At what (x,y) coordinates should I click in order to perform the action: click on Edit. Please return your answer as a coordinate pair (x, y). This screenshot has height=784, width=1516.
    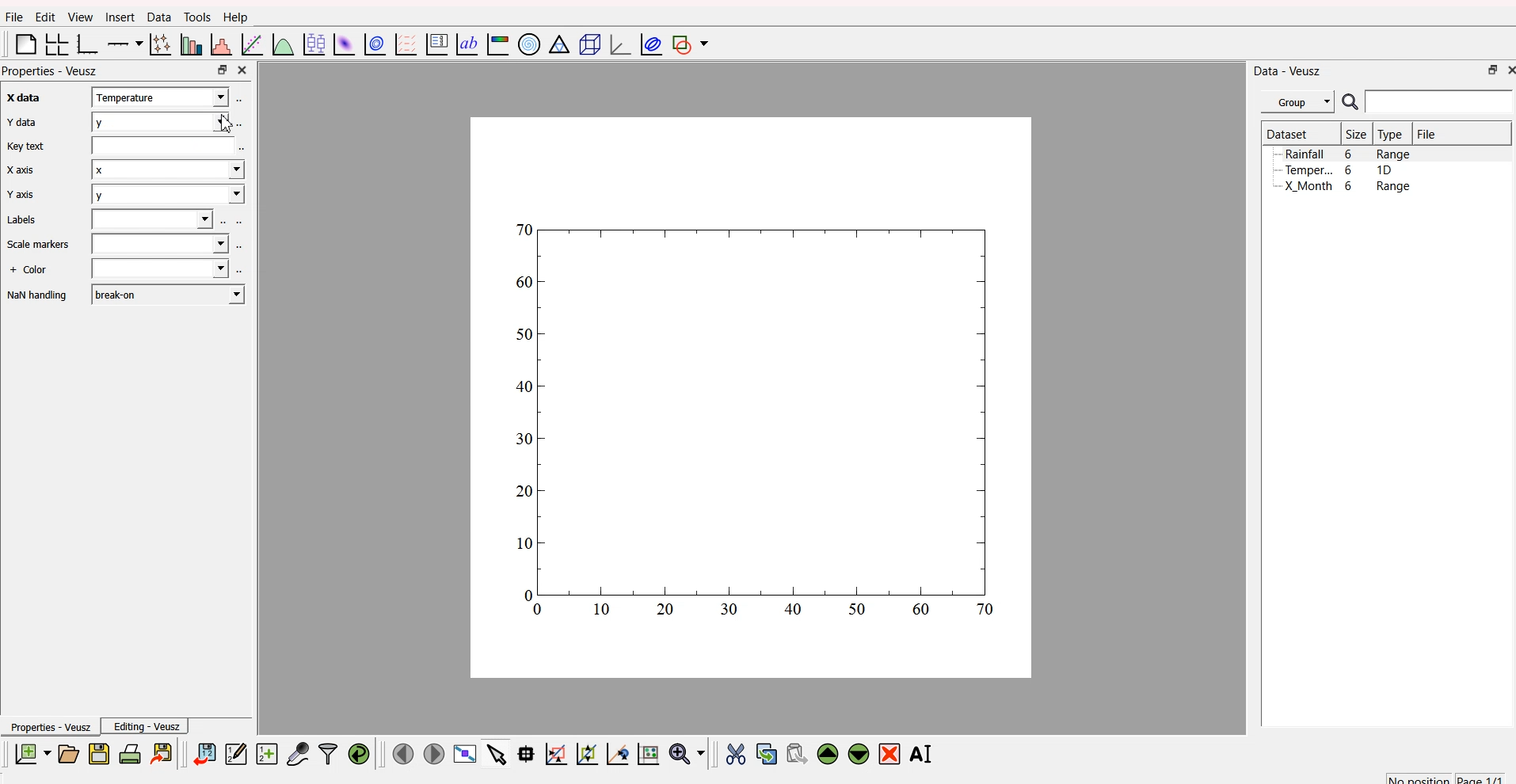
    Looking at the image, I should click on (43, 17).